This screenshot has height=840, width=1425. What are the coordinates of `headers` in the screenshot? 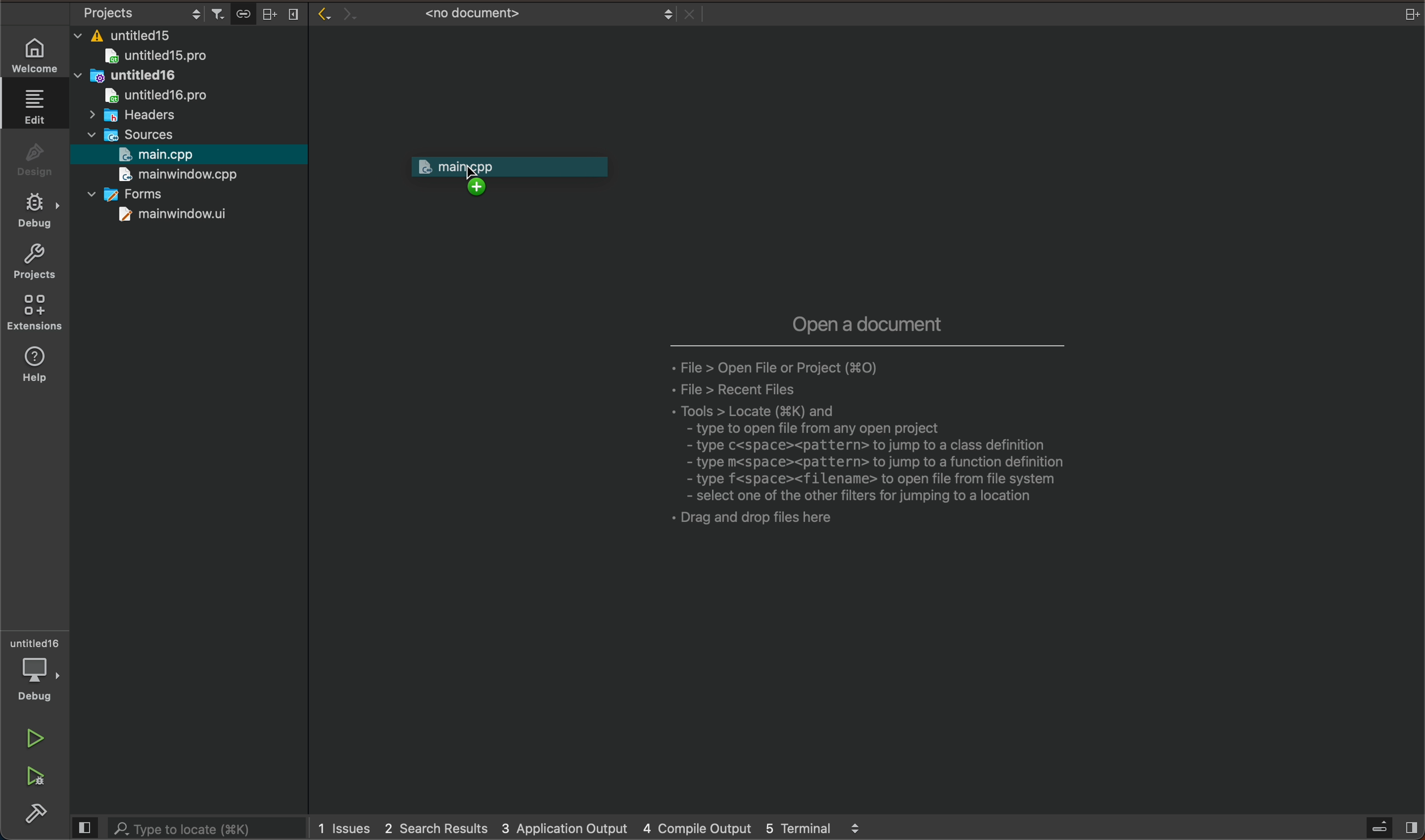 It's located at (131, 115).